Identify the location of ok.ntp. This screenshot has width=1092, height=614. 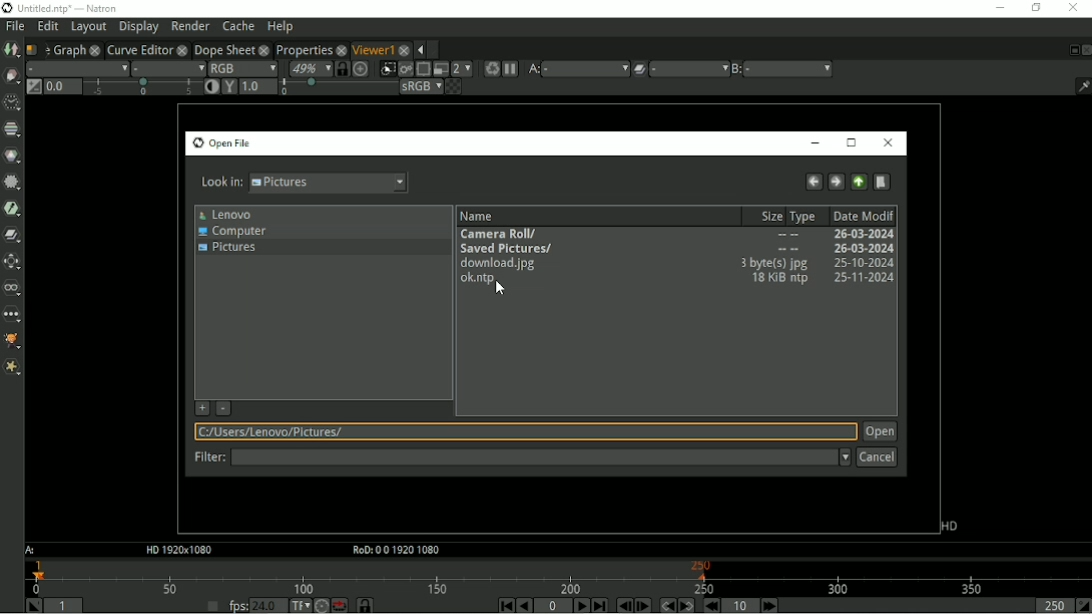
(676, 281).